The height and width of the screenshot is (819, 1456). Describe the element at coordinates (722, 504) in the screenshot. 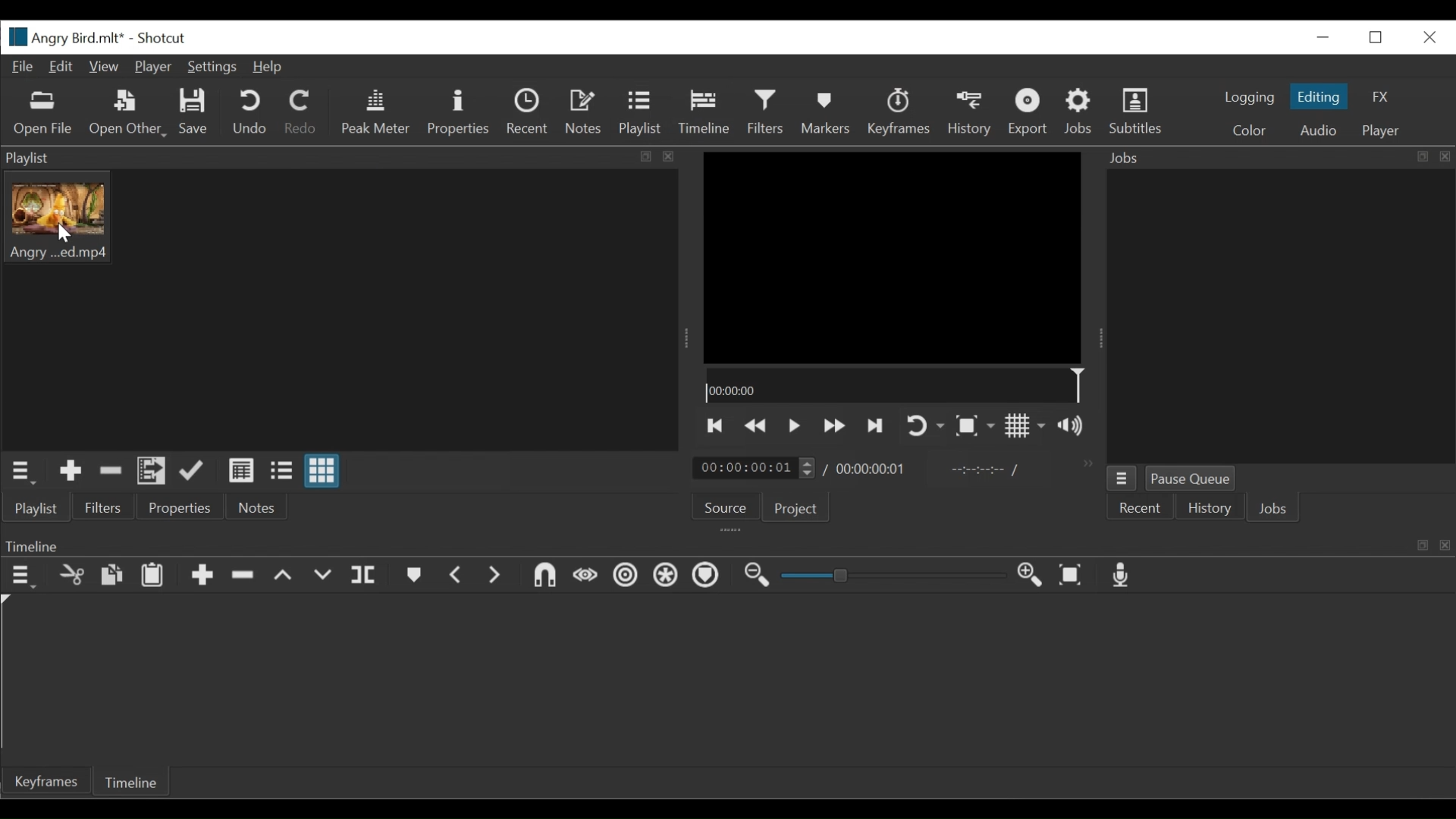

I see `Source` at that location.